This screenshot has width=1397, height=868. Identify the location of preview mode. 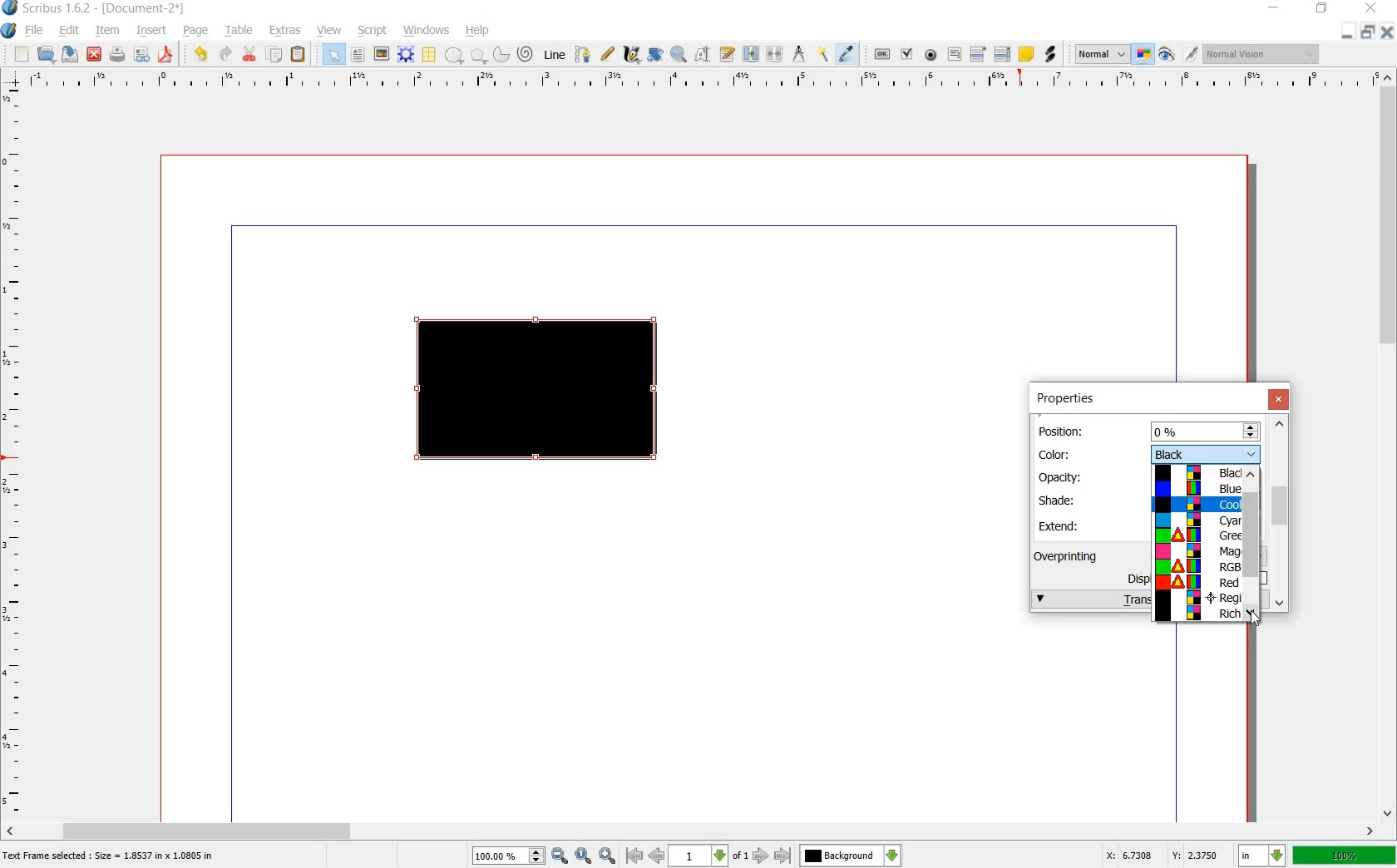
(1167, 54).